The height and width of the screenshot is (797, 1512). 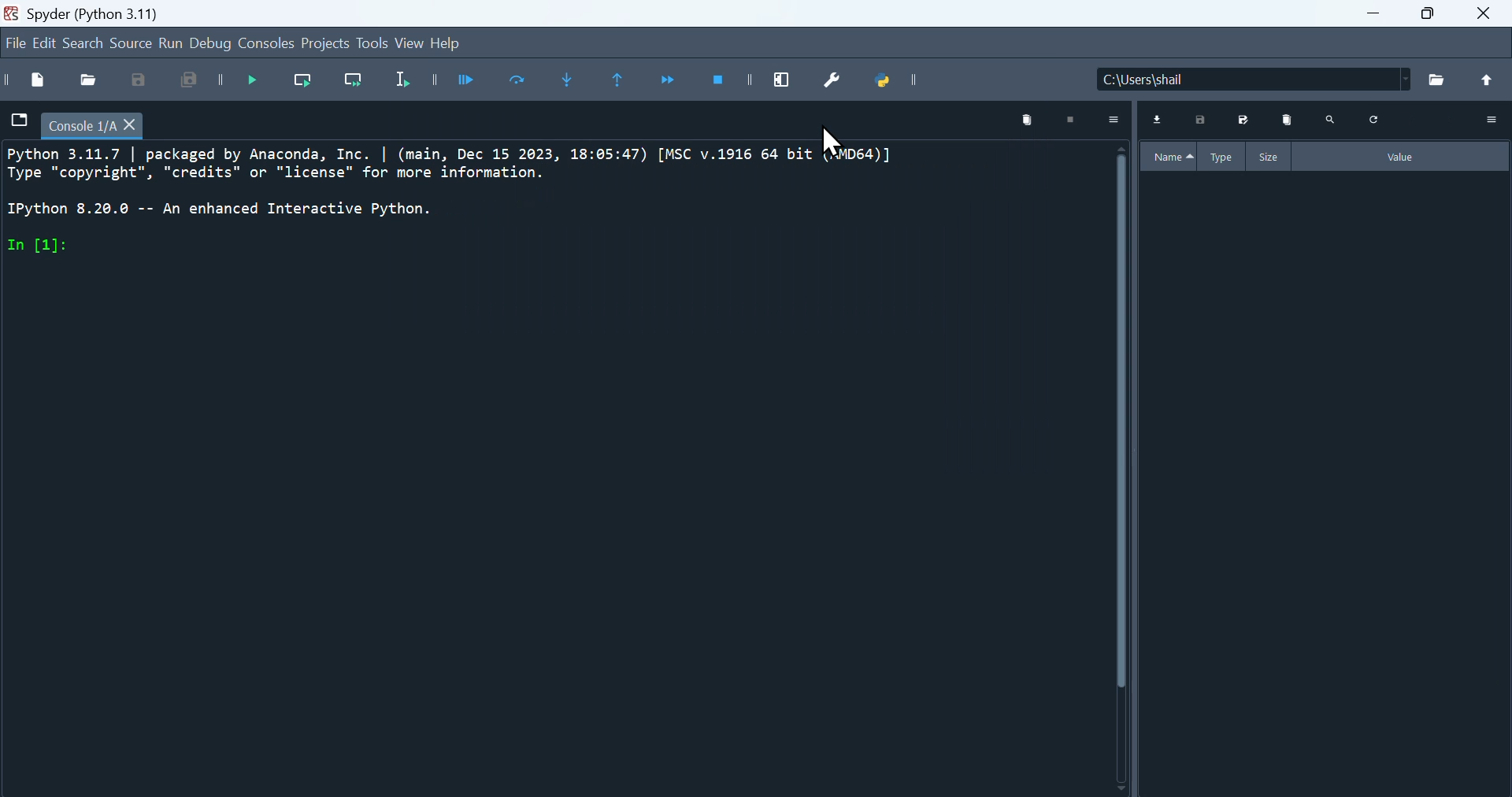 What do you see at coordinates (456, 45) in the screenshot?
I see `Help` at bounding box center [456, 45].